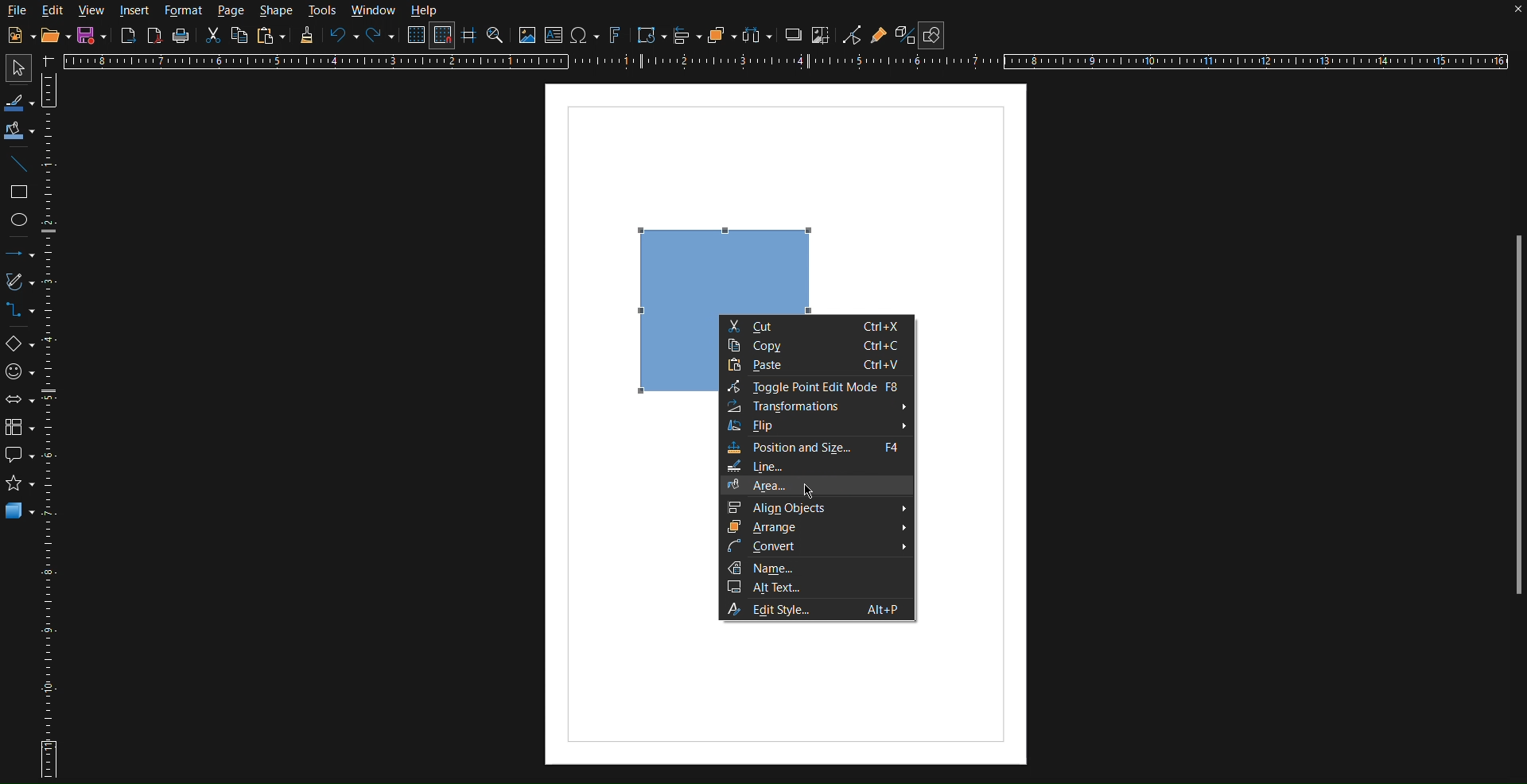  Describe the element at coordinates (136, 12) in the screenshot. I see `Insert` at that location.